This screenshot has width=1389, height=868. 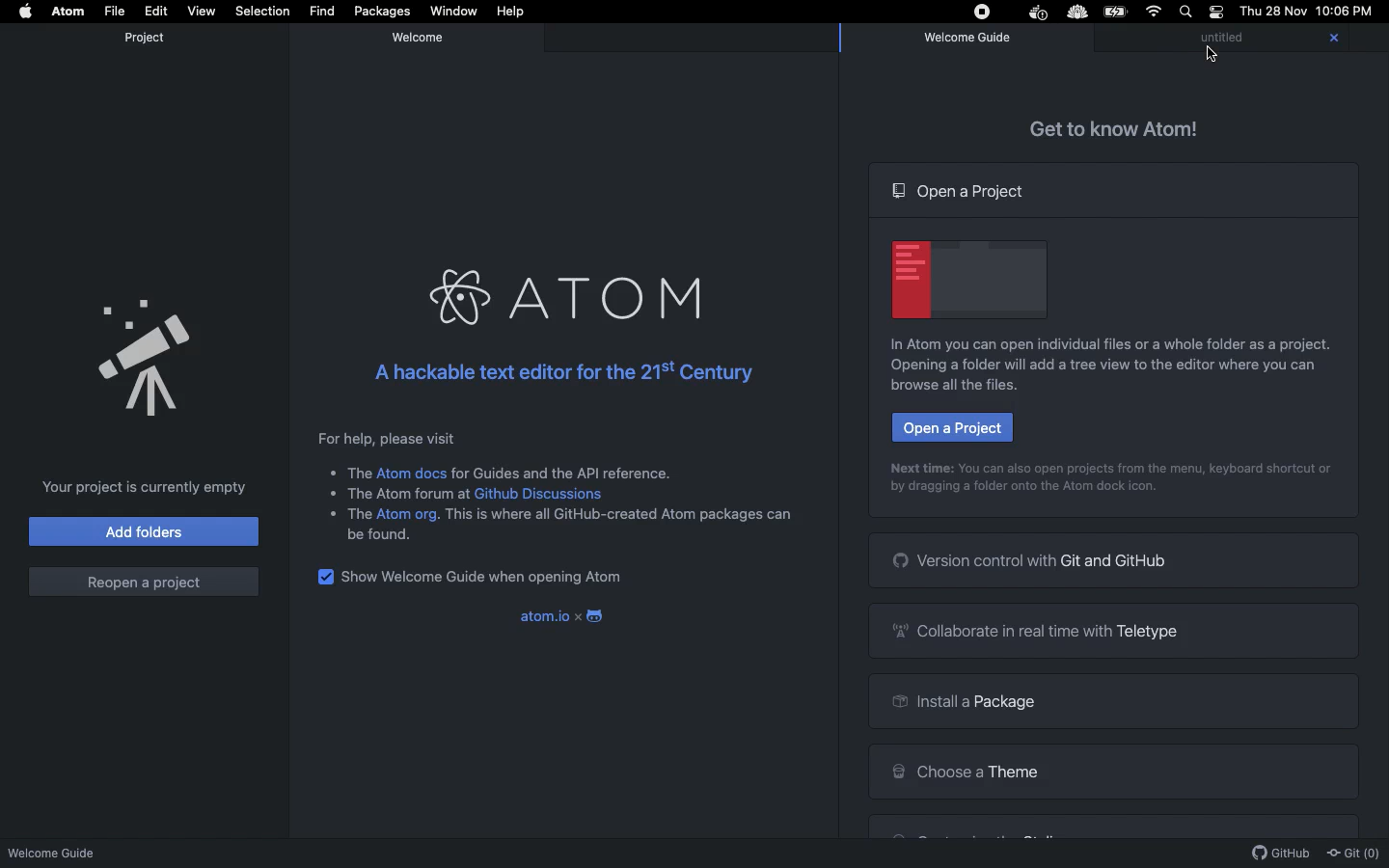 I want to click on Selection, so click(x=260, y=12).